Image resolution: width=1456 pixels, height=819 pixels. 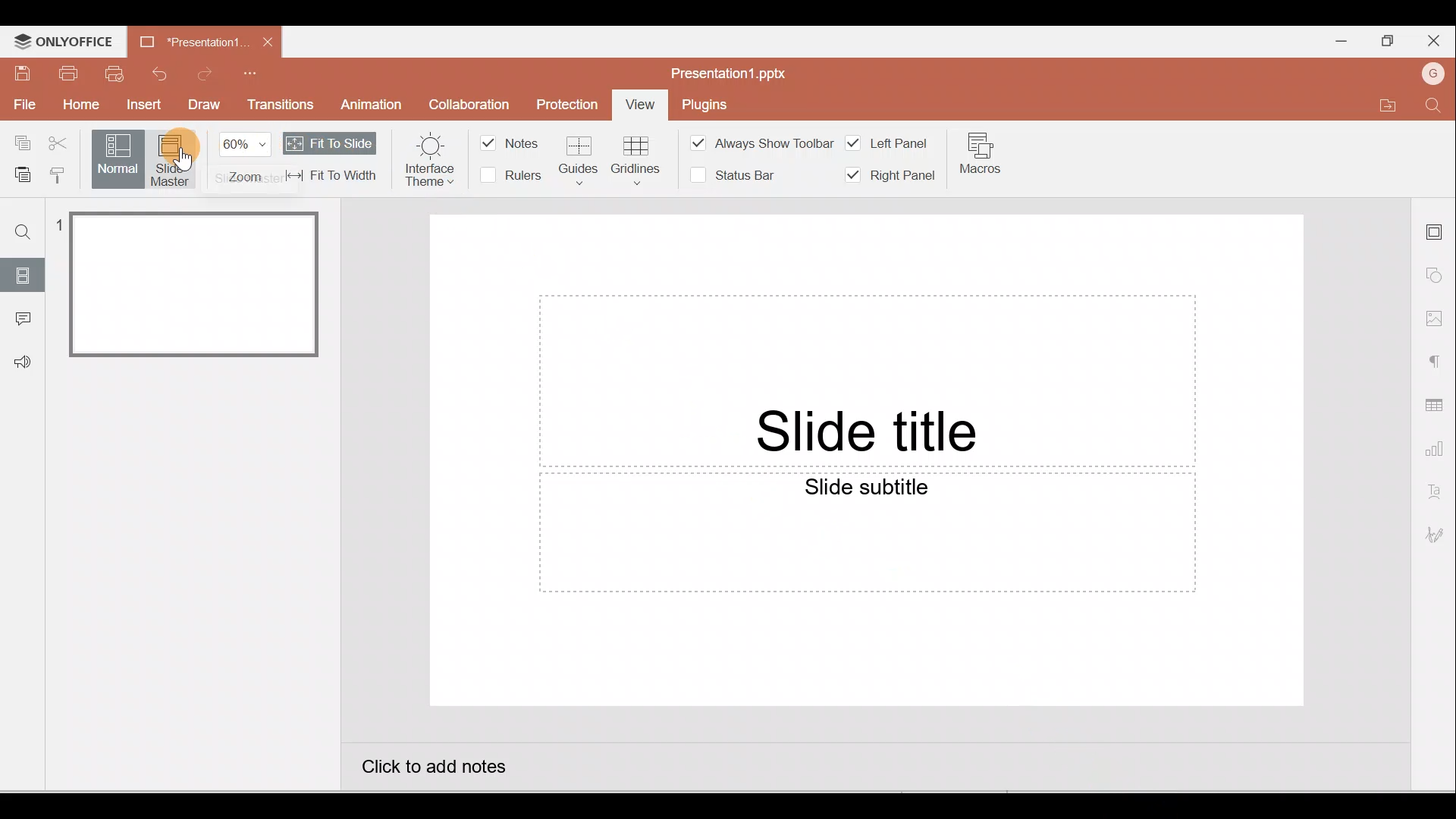 What do you see at coordinates (265, 70) in the screenshot?
I see `Customise quick access toolbar` at bounding box center [265, 70].